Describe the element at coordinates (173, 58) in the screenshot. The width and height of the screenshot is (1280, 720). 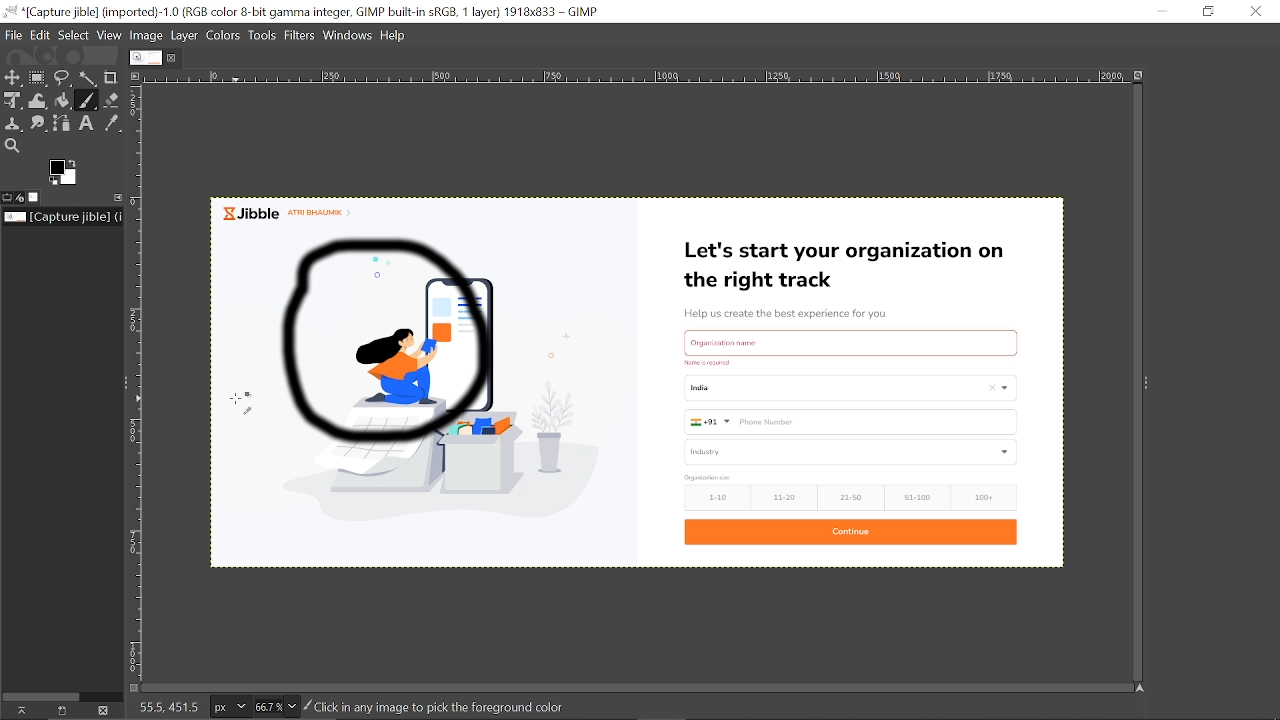
I see `Close tab` at that location.